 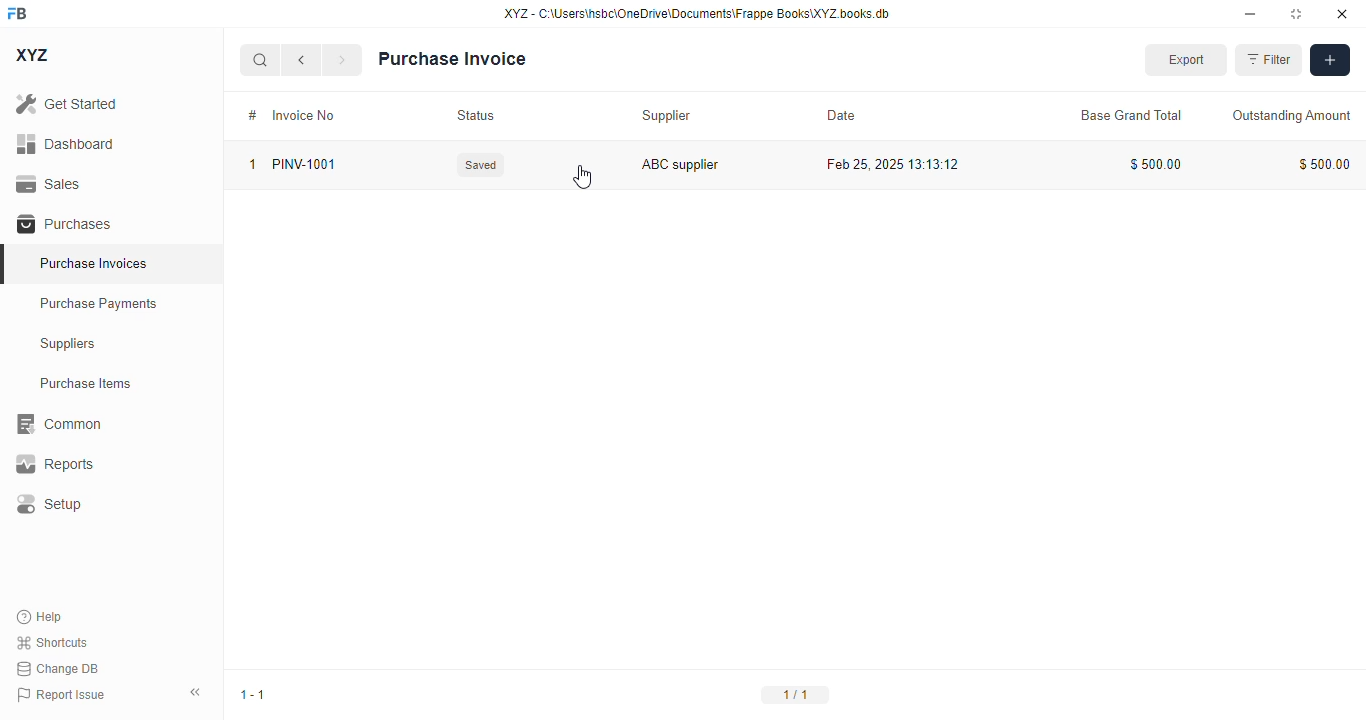 I want to click on toggle maximize, so click(x=1295, y=13).